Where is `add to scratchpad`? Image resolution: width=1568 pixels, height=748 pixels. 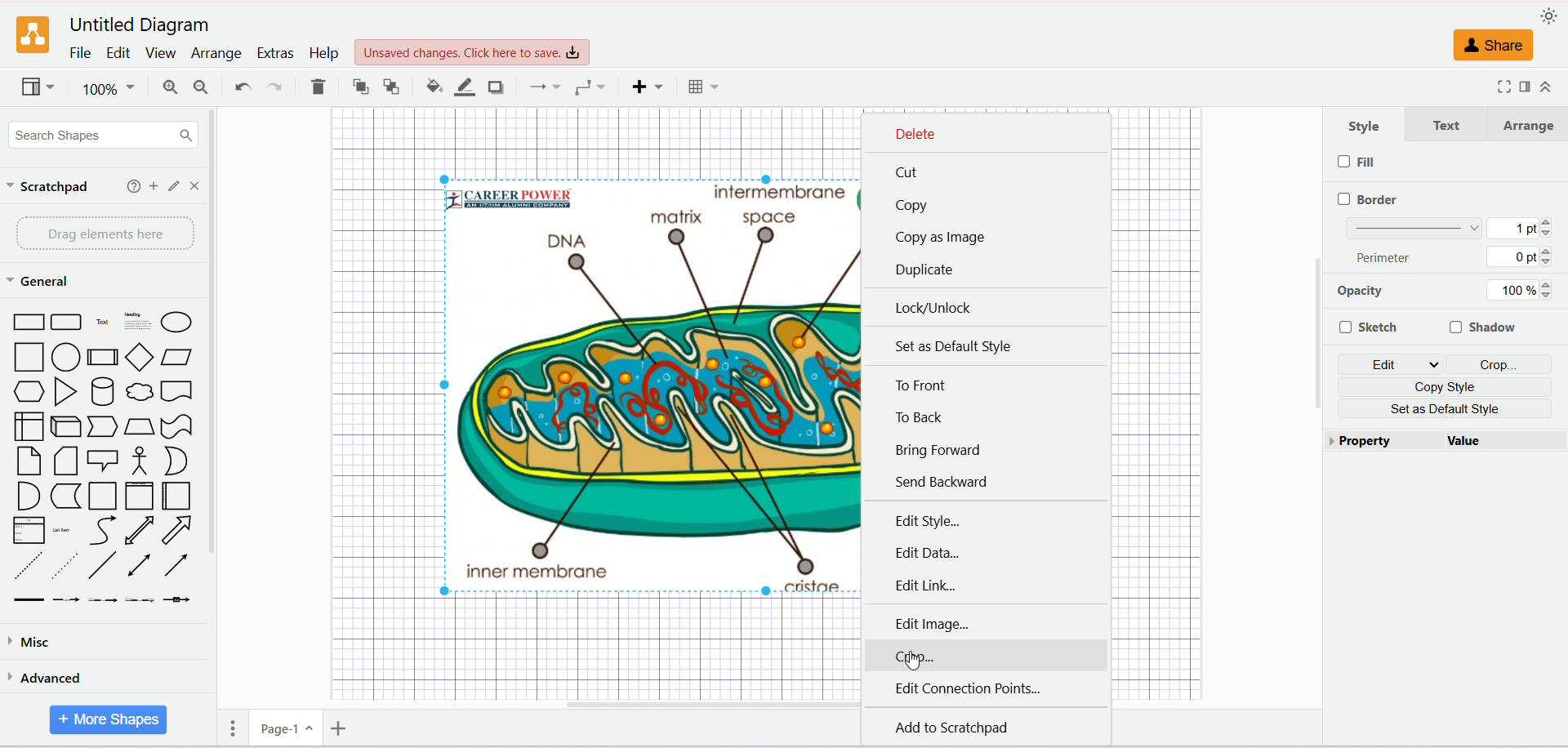
add to scratchpad is located at coordinates (954, 728).